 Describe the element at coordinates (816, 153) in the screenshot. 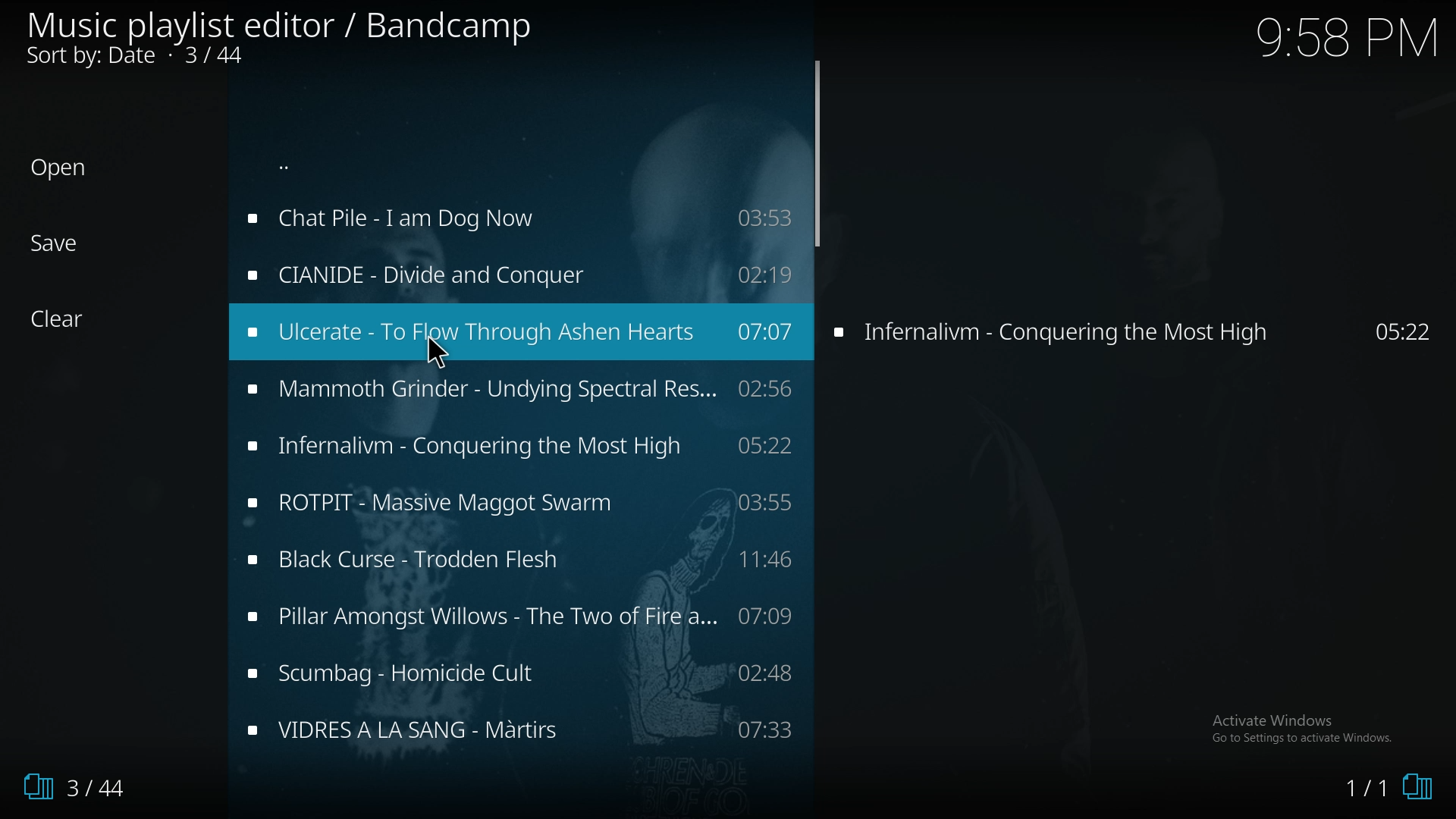

I see `scroll bar` at that location.